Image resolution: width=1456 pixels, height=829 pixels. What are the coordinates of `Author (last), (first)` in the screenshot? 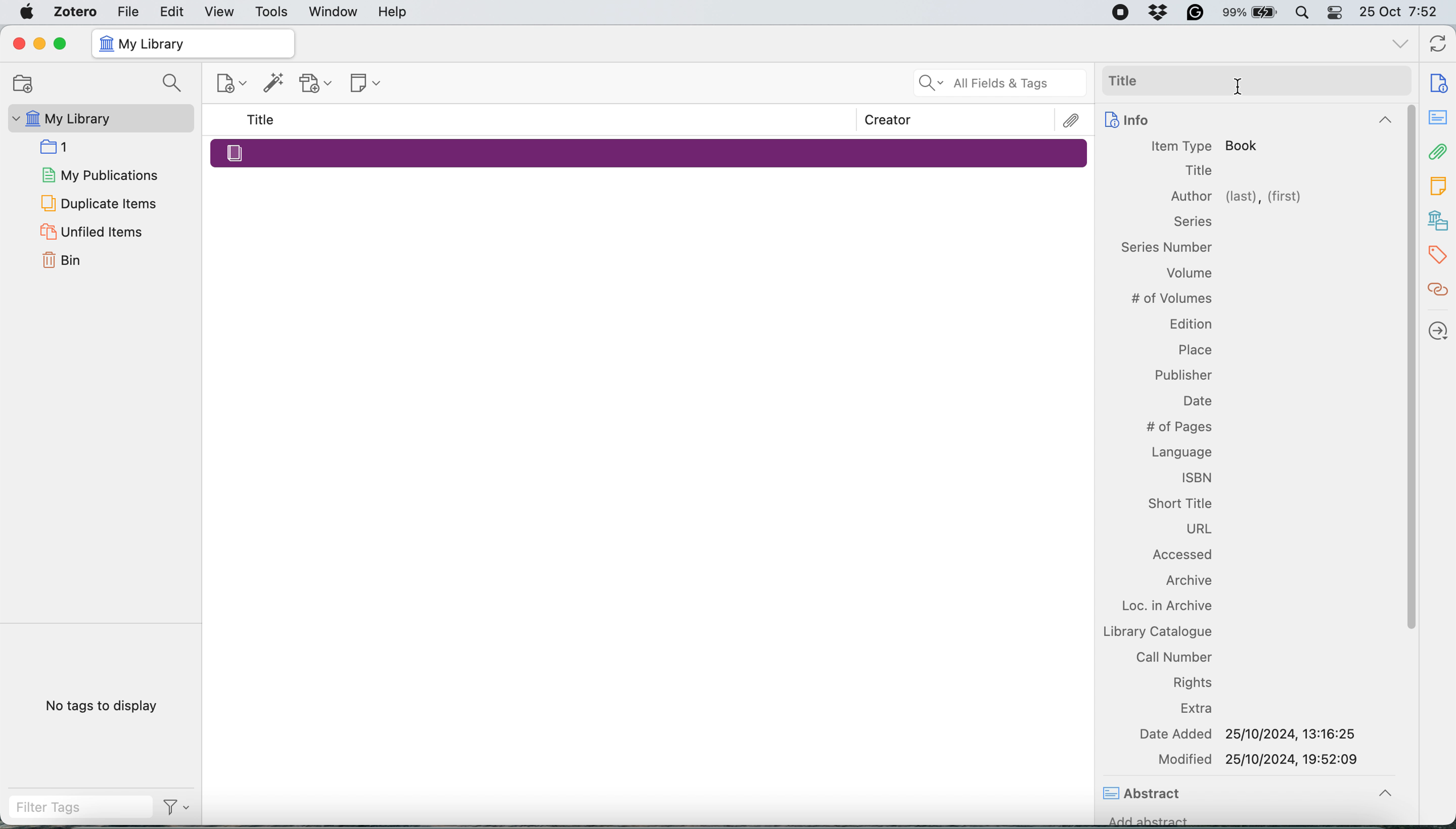 It's located at (1237, 197).